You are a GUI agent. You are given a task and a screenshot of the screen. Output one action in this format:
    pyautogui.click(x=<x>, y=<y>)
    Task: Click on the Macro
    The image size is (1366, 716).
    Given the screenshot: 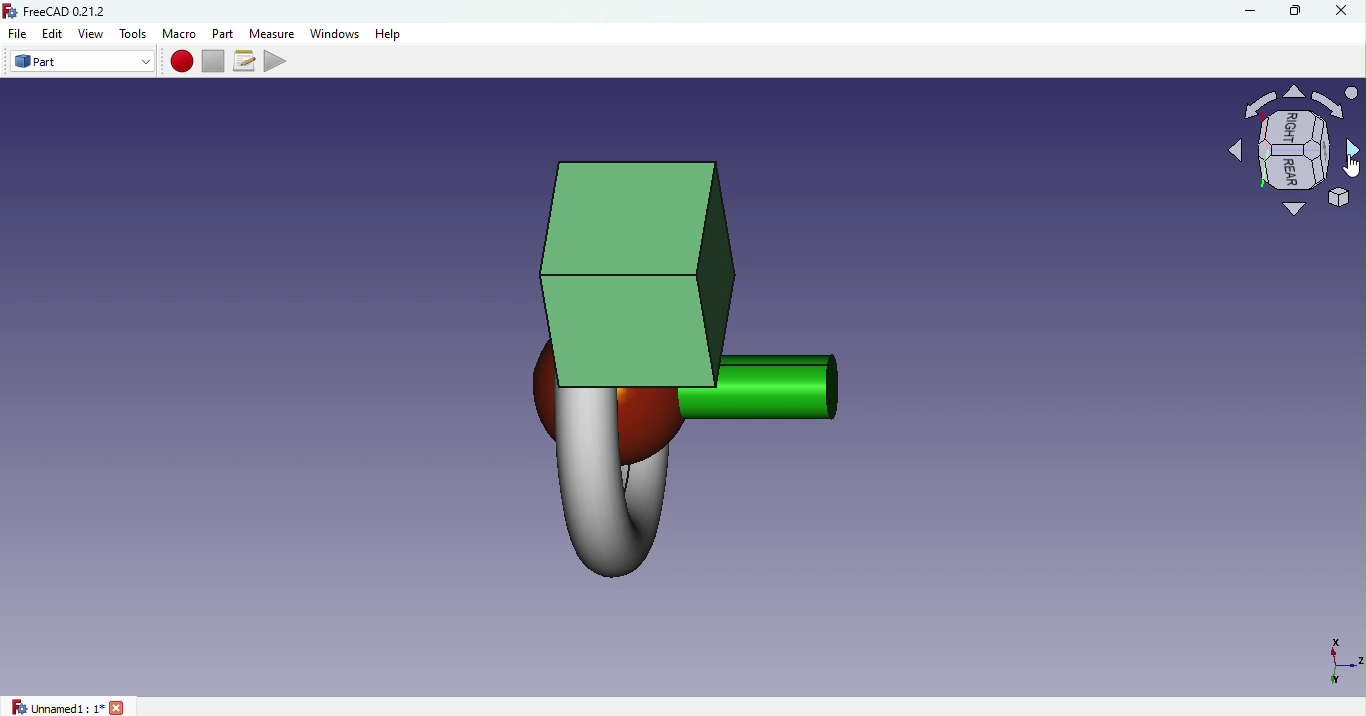 What is the action you would take?
    pyautogui.click(x=181, y=33)
    